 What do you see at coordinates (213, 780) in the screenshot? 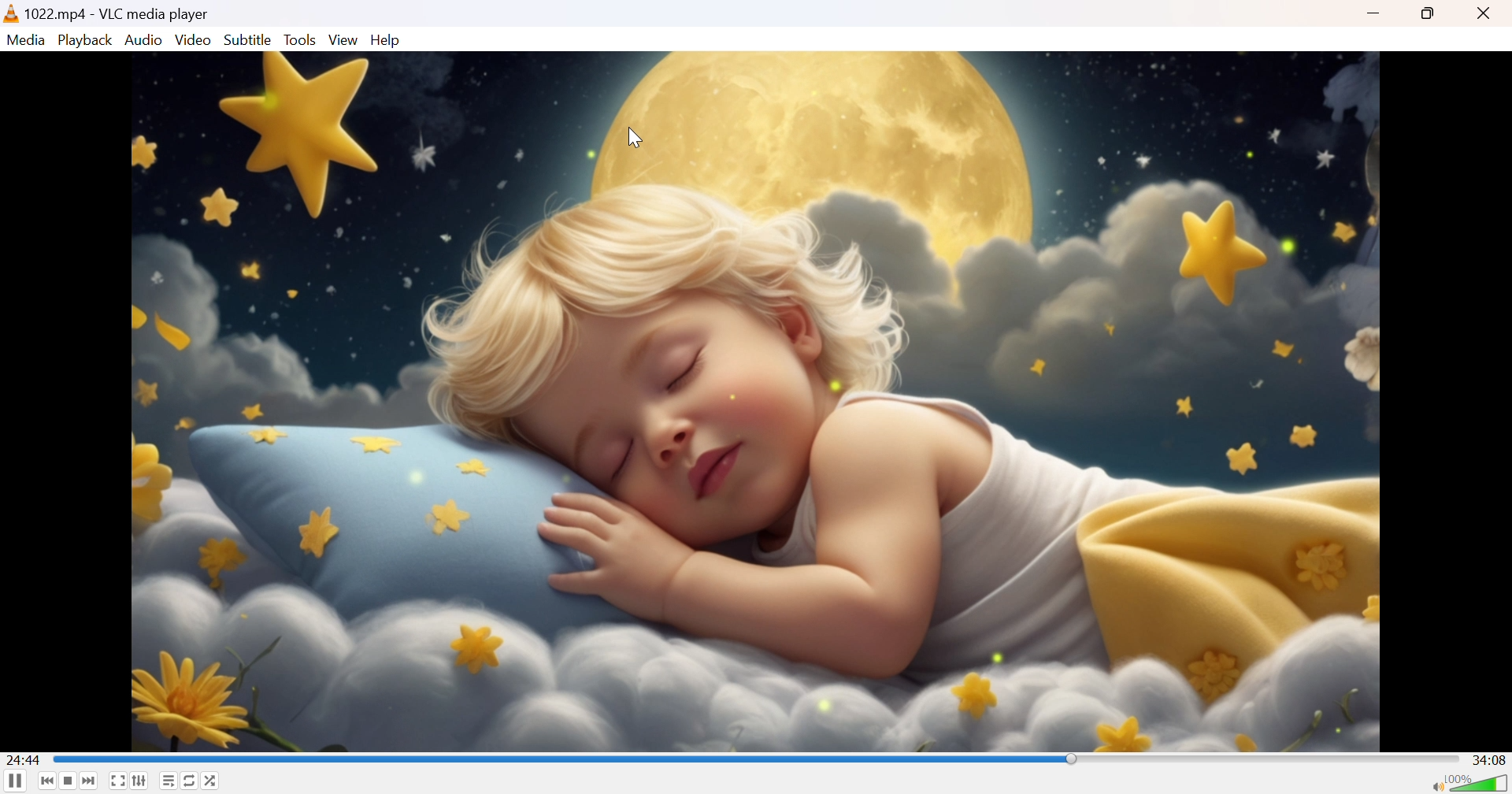
I see `Random` at bounding box center [213, 780].